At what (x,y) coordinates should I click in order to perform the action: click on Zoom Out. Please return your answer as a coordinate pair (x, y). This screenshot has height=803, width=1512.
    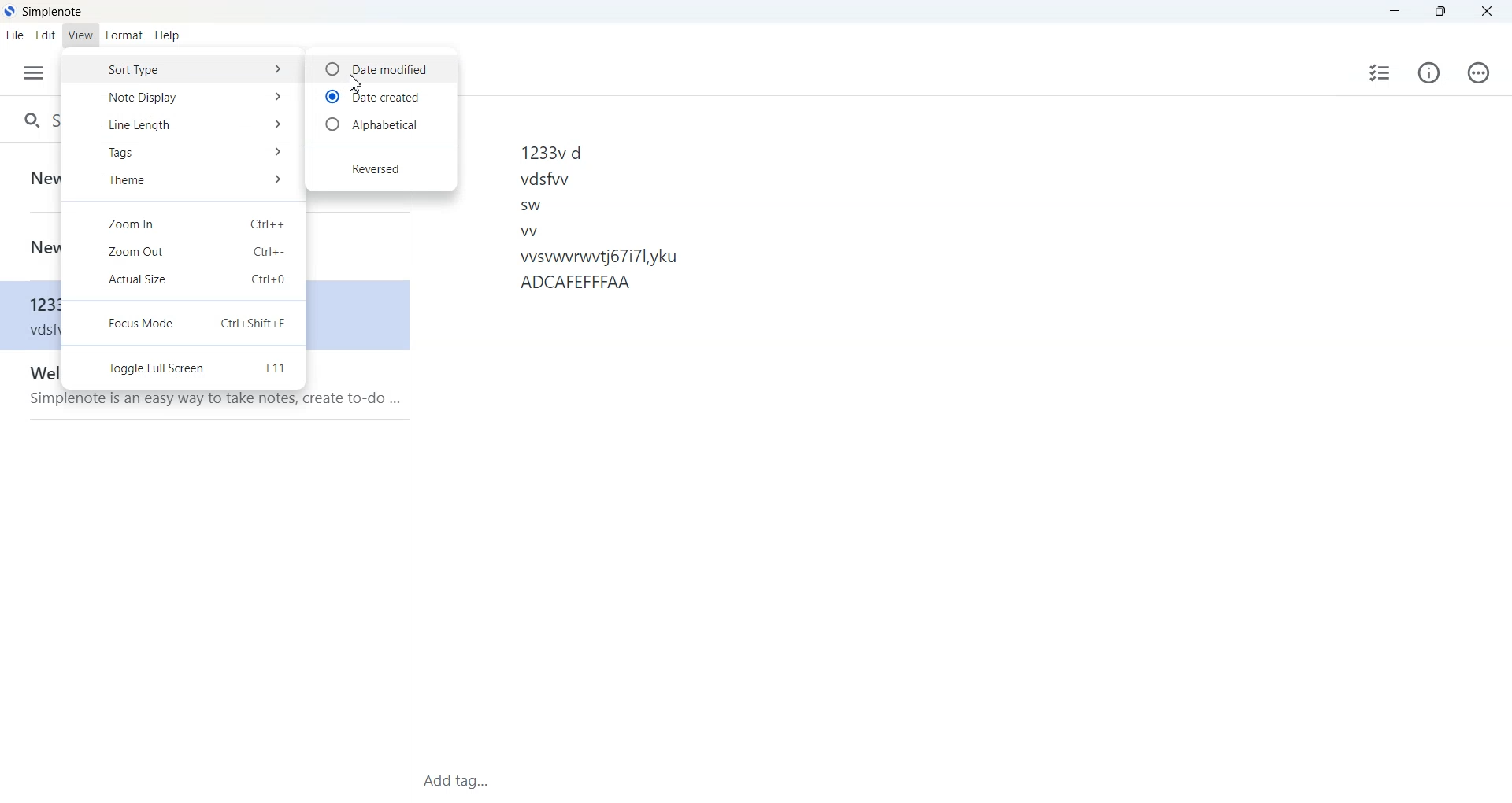
    Looking at the image, I should click on (183, 252).